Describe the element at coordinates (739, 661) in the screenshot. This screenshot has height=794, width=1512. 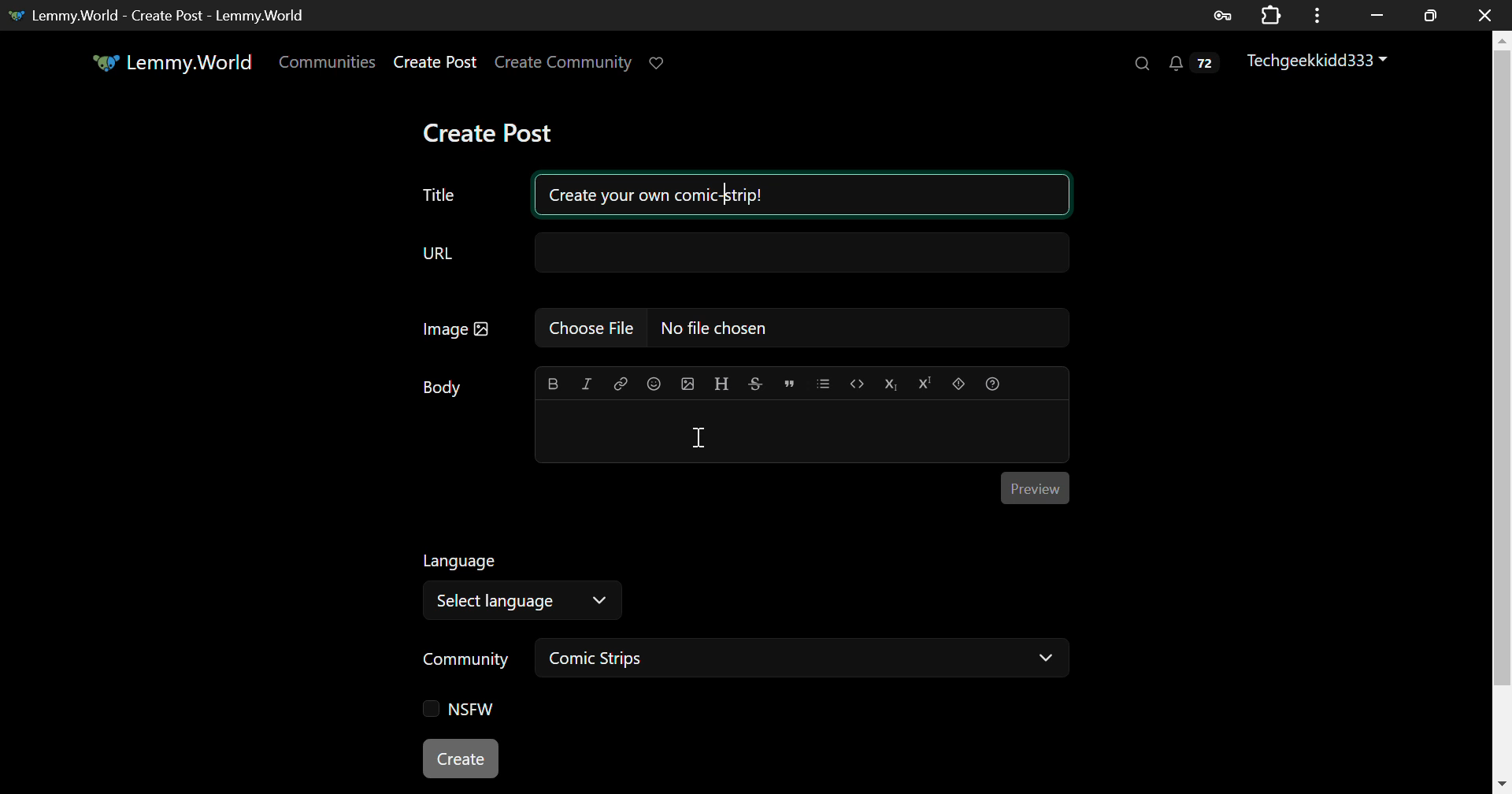
I see `Community: Comic Strips` at that location.